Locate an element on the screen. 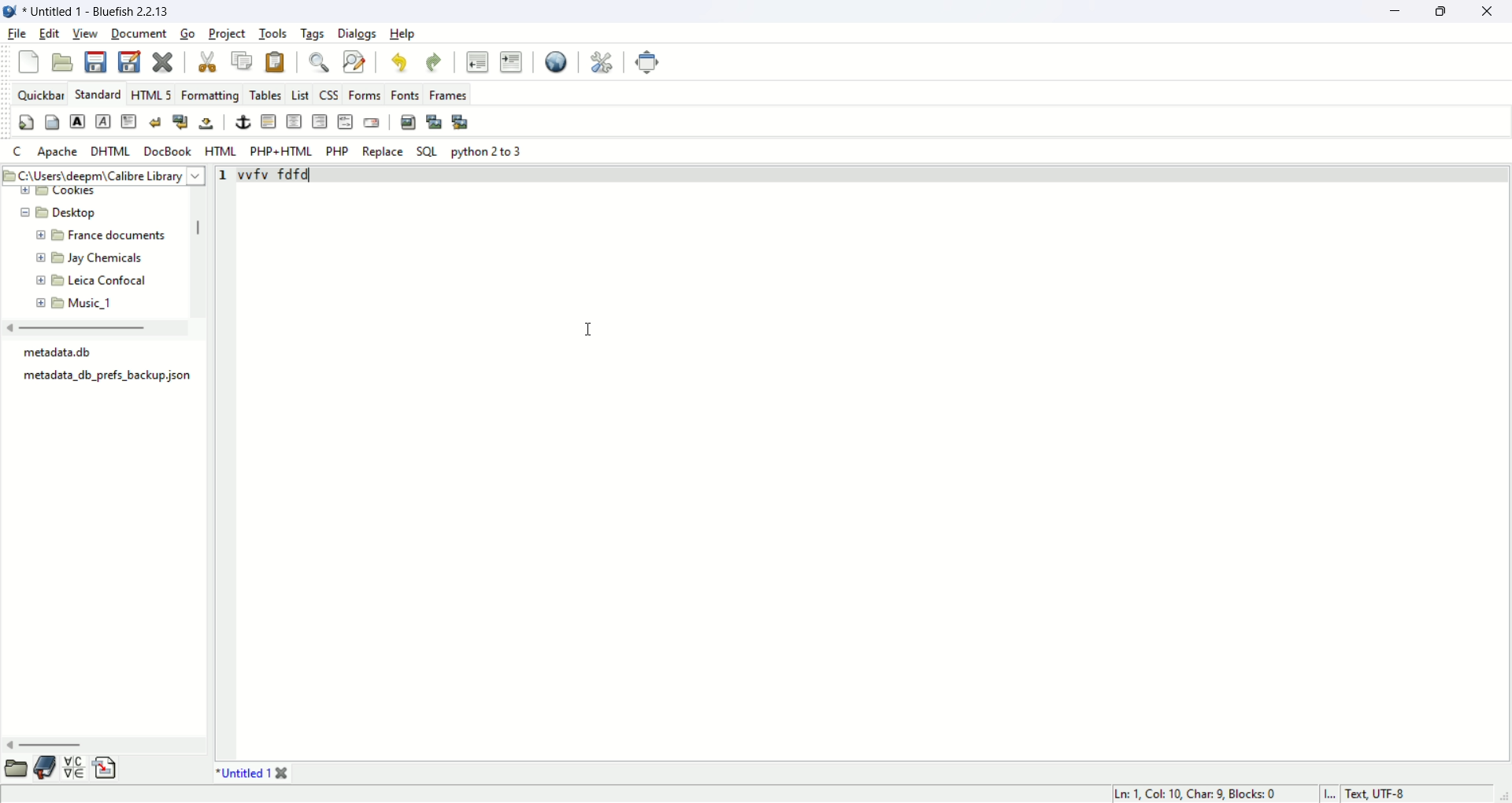 This screenshot has height=803, width=1512. preview in browser is located at coordinates (558, 60).